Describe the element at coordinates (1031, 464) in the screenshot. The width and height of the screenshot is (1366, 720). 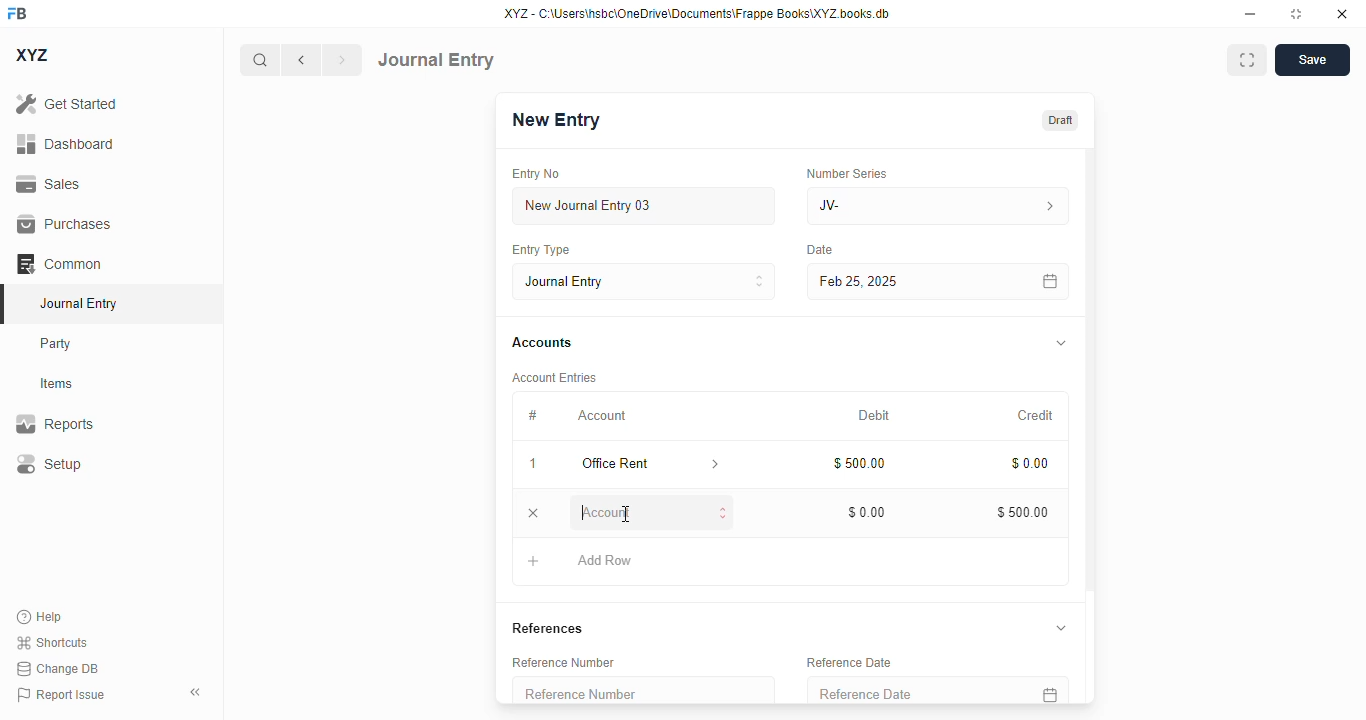
I see `$0.00` at that location.